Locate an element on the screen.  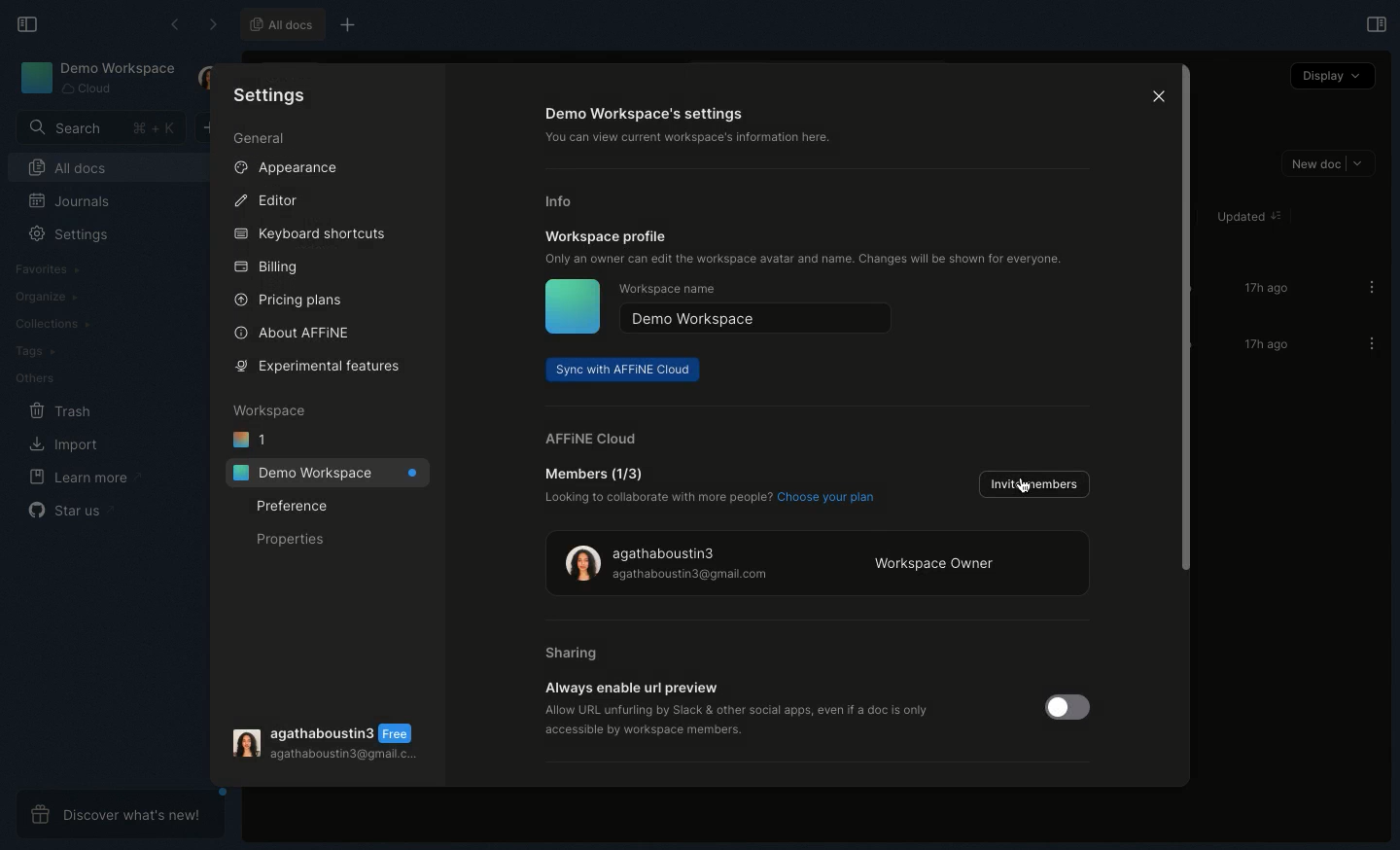
Preference is located at coordinates (295, 507).